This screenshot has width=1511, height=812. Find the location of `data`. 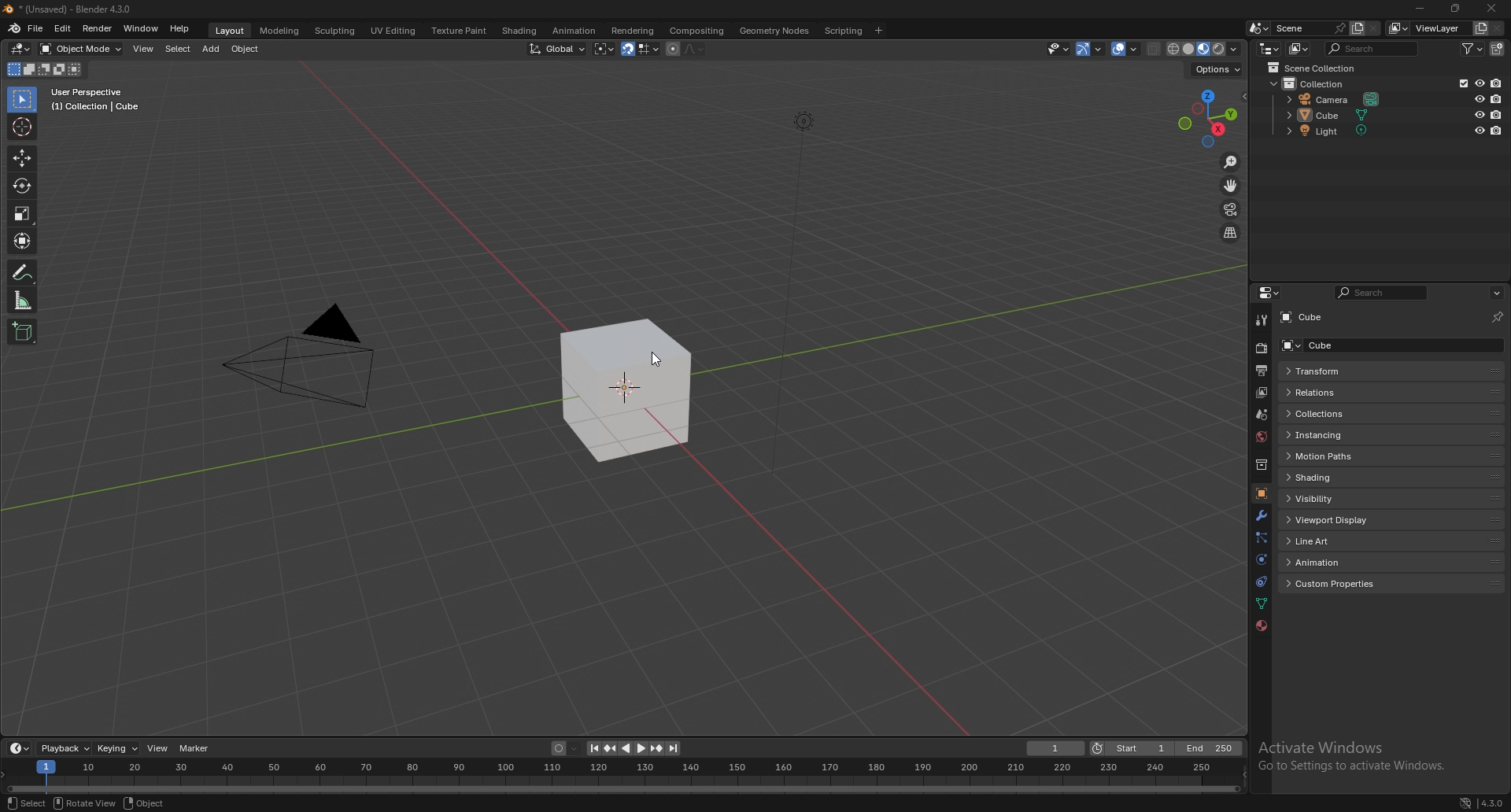

data is located at coordinates (1261, 603).